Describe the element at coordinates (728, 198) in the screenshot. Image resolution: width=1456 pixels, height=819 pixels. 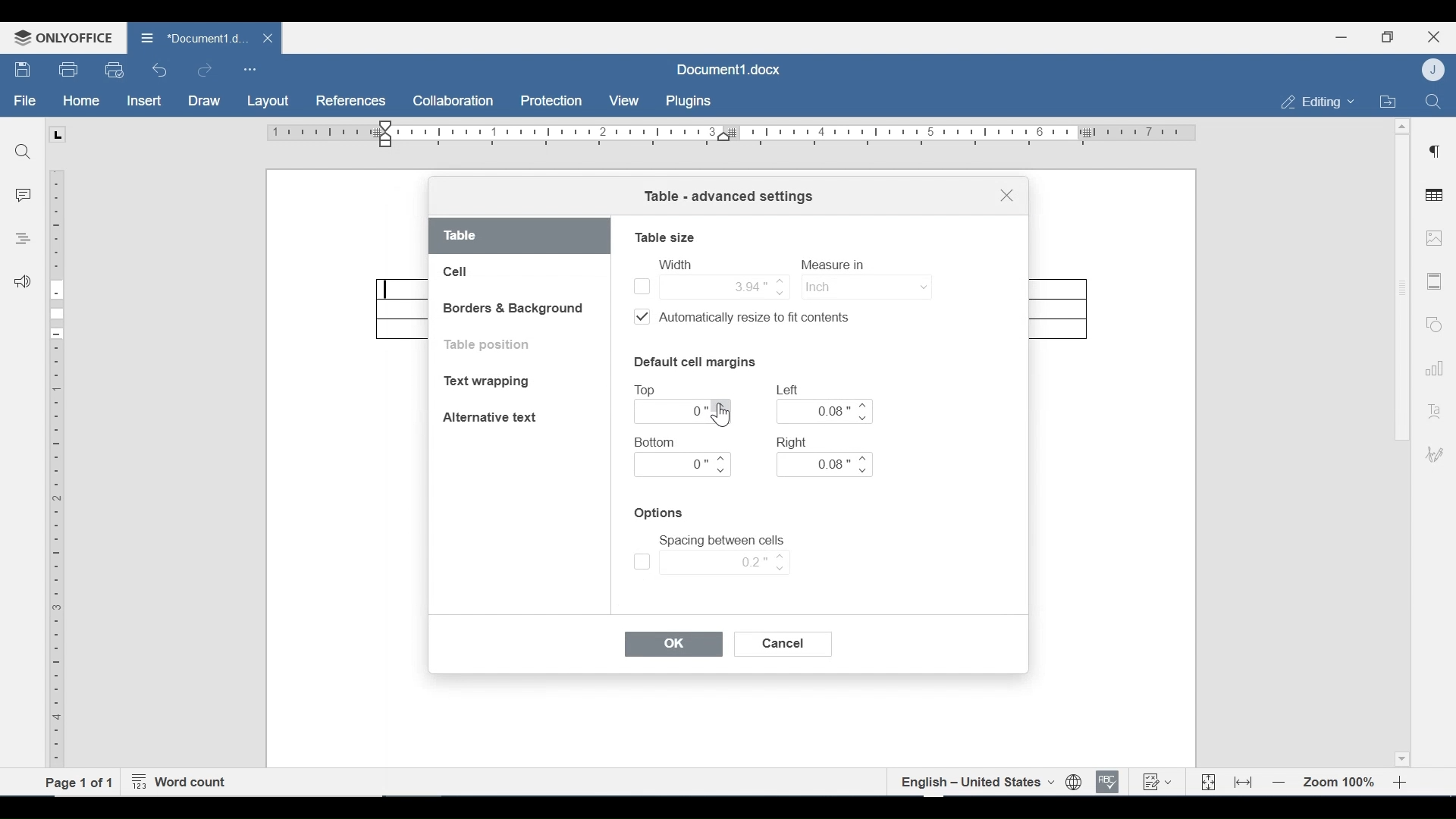
I see `Table - advanced settings` at that location.